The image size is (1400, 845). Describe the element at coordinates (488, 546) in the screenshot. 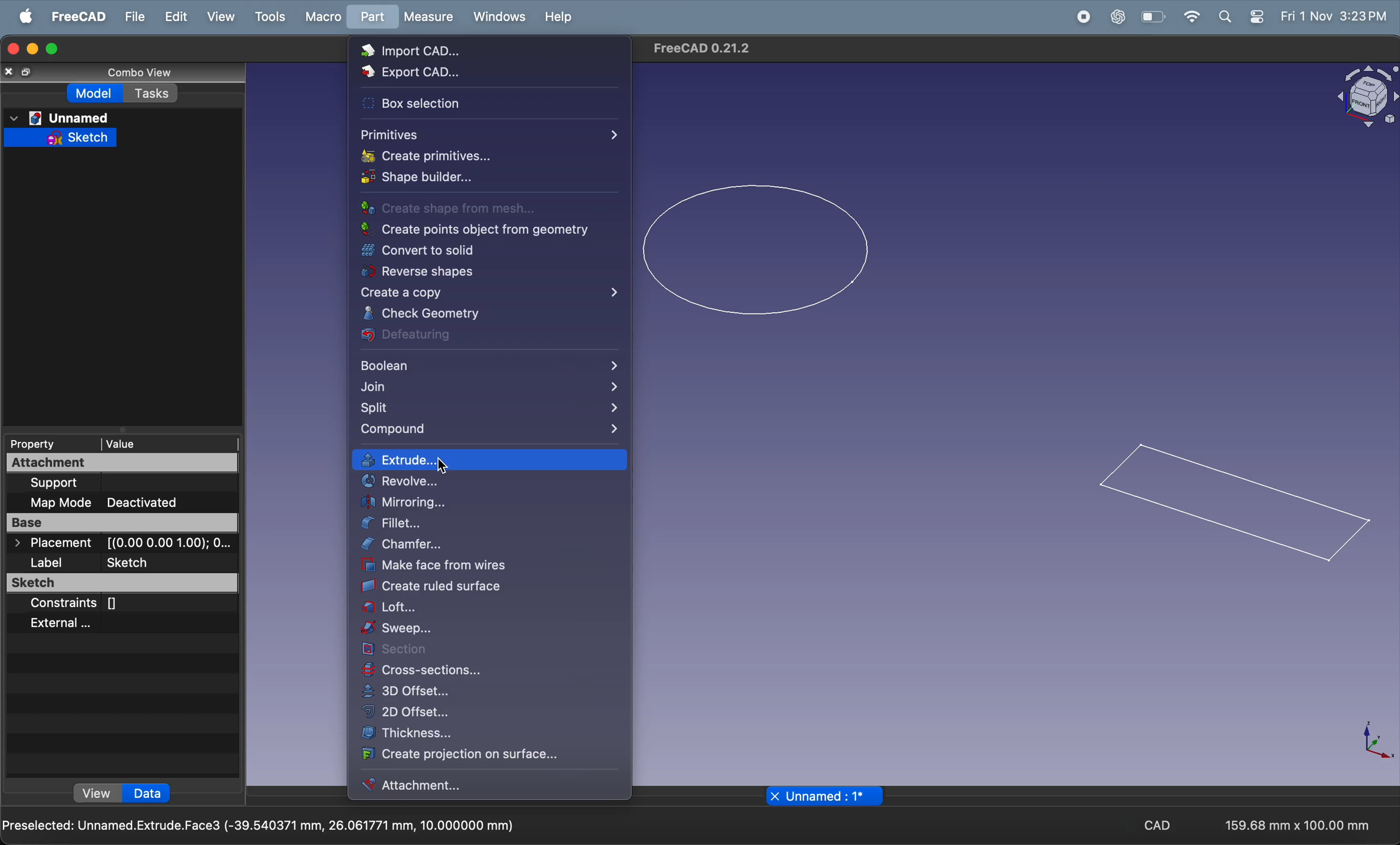

I see `Chamfer...` at that location.